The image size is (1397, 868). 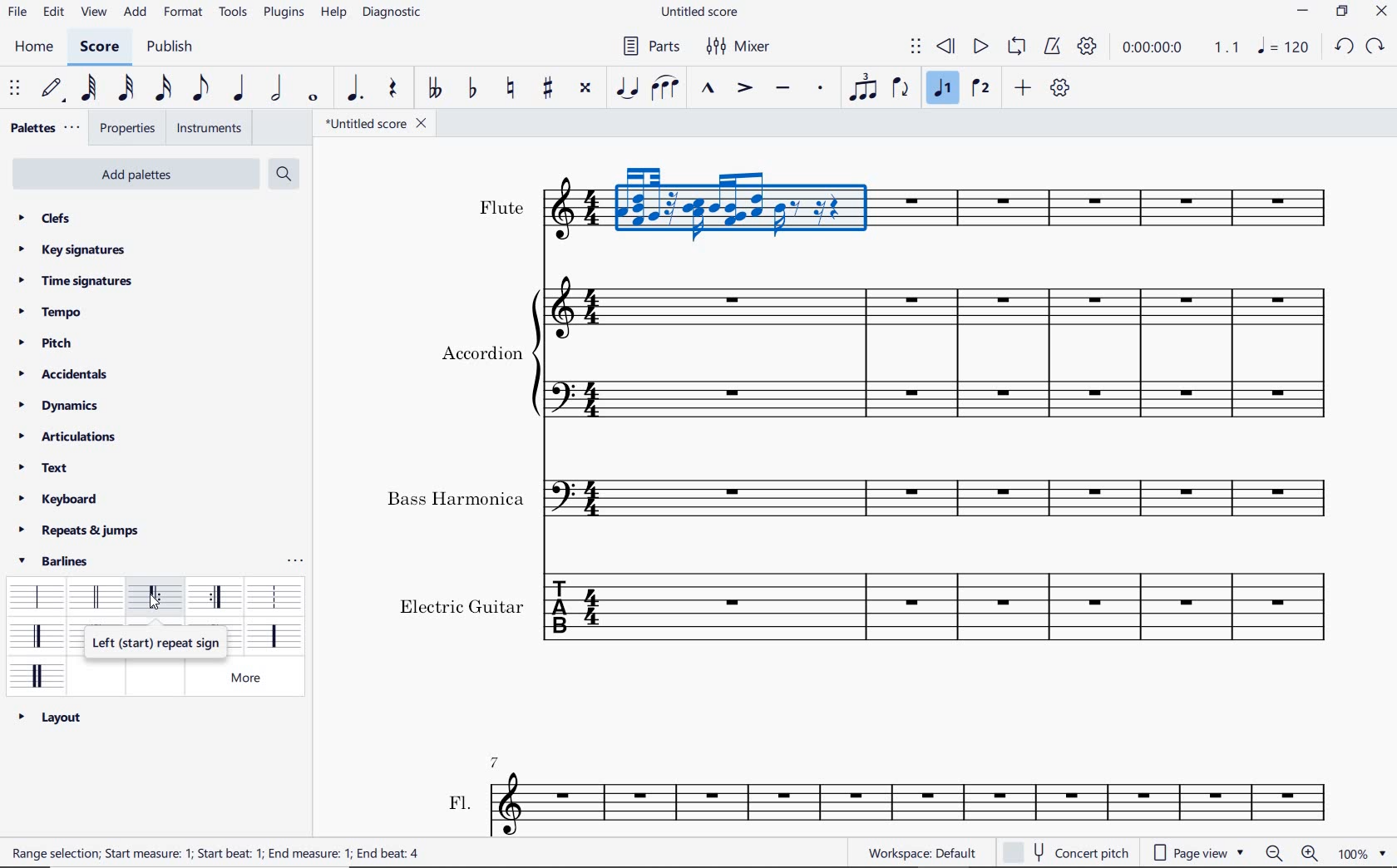 What do you see at coordinates (217, 599) in the screenshot?
I see `right (end) repeat sign` at bounding box center [217, 599].